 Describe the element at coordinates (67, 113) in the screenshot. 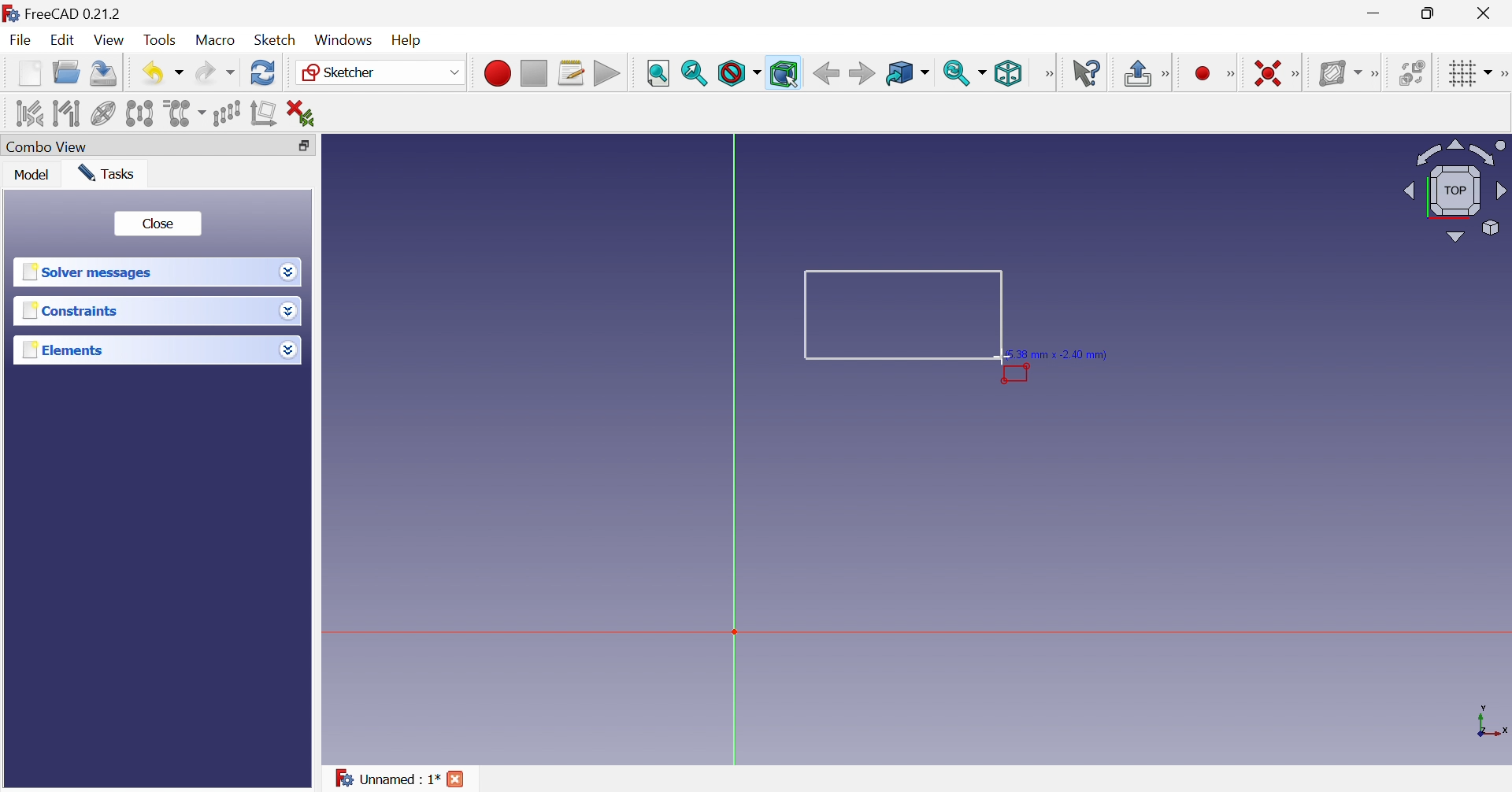

I see `Select associated geometry` at that location.